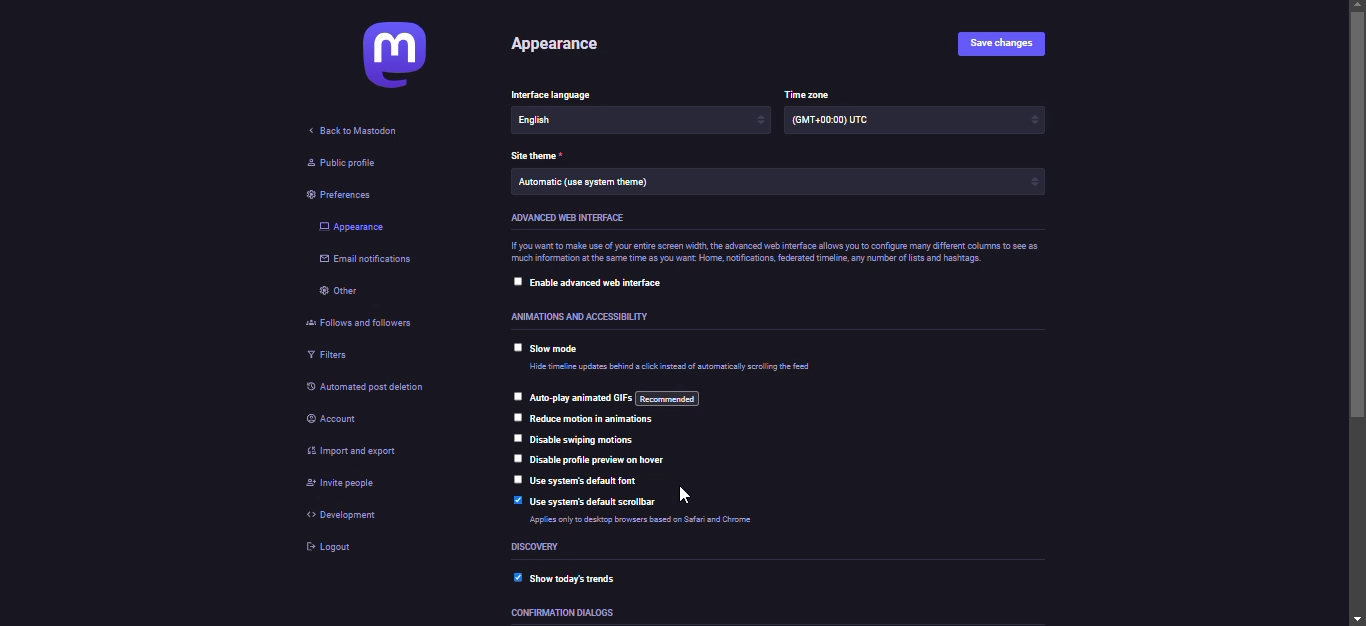 Image resolution: width=1366 pixels, height=626 pixels. Describe the element at coordinates (581, 439) in the screenshot. I see `disable swiping motions` at that location.